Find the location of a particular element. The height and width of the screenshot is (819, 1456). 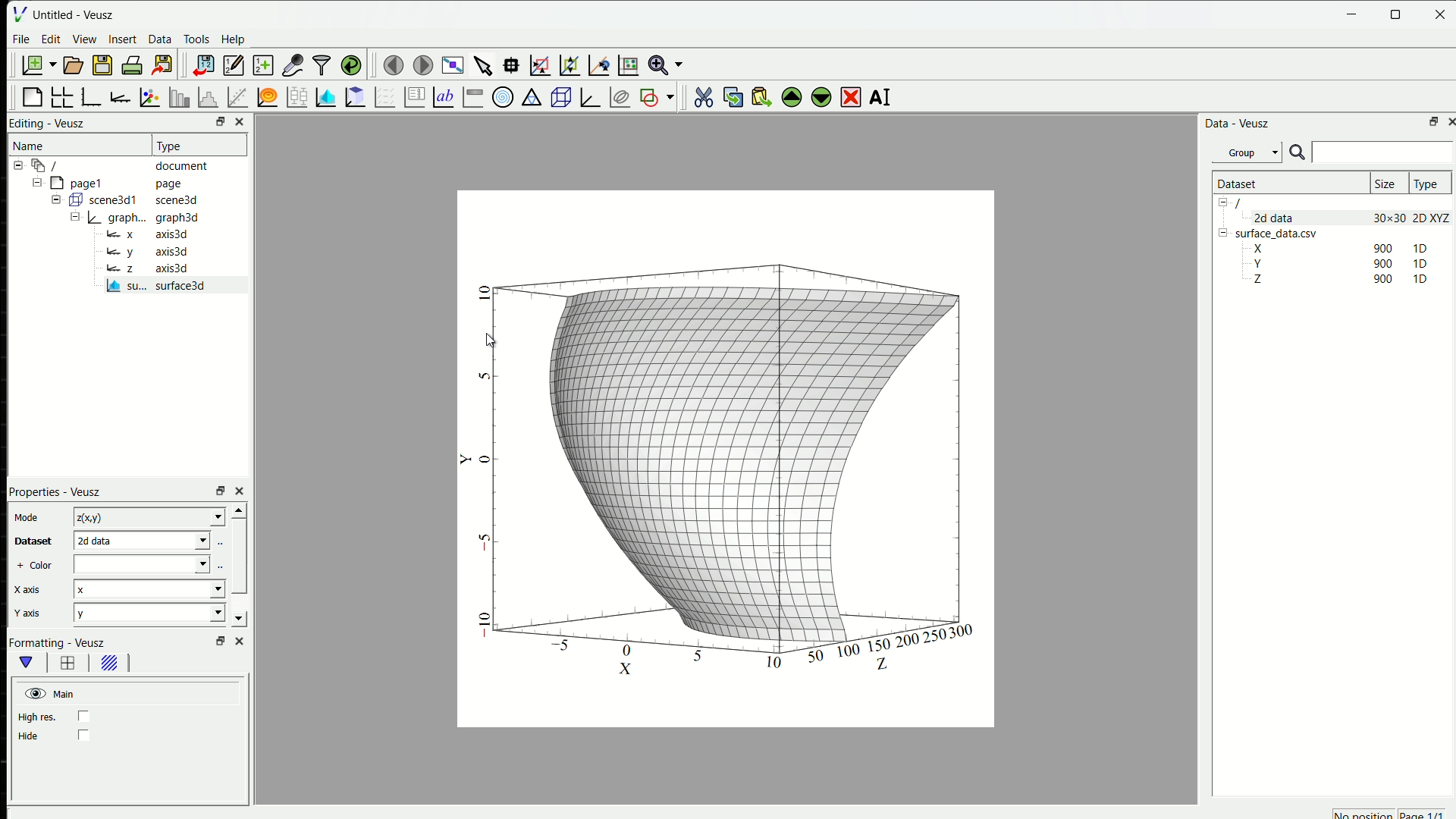

plot bar charts  is located at coordinates (180, 96).